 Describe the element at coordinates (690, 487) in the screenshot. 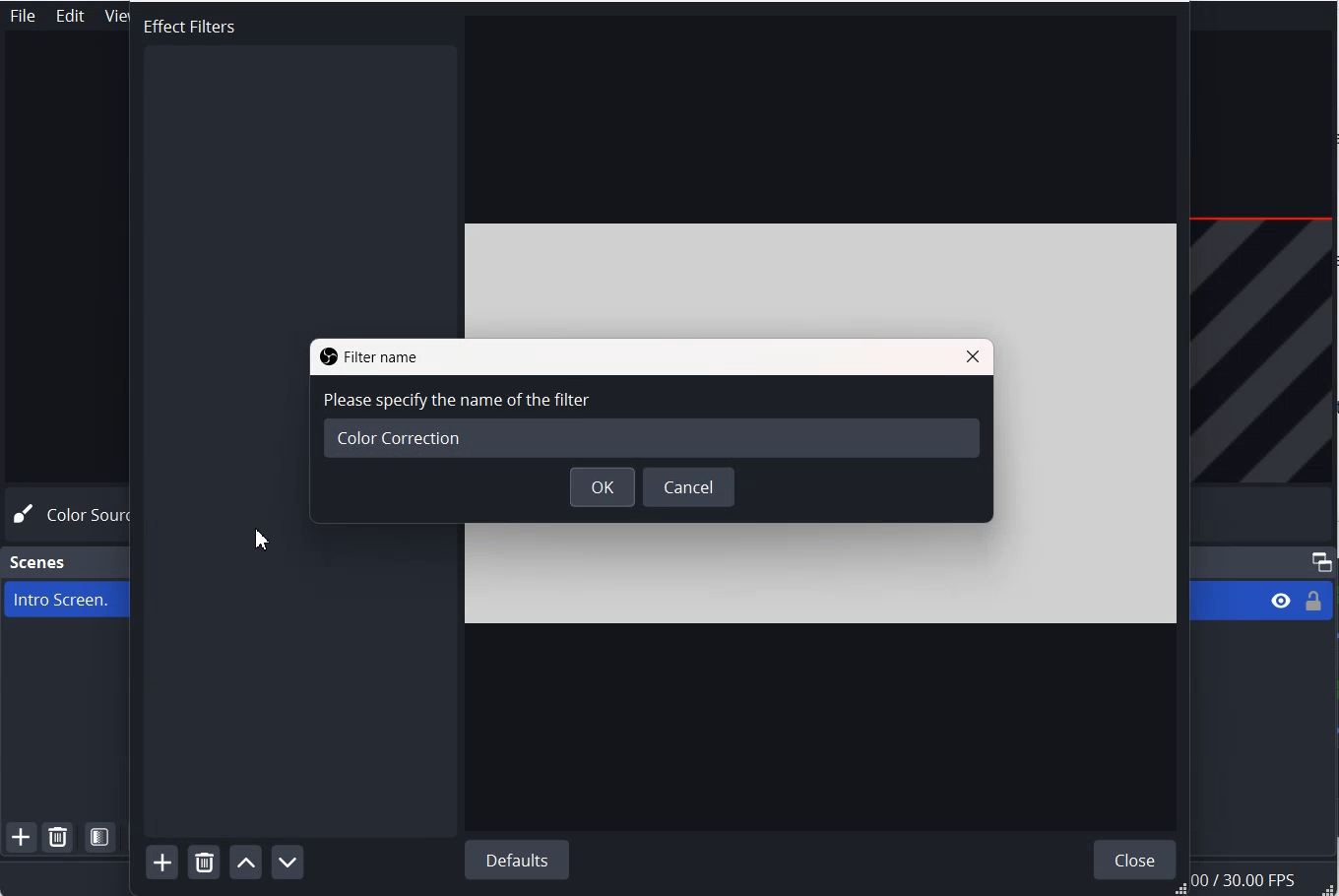

I see `Cancel` at that location.